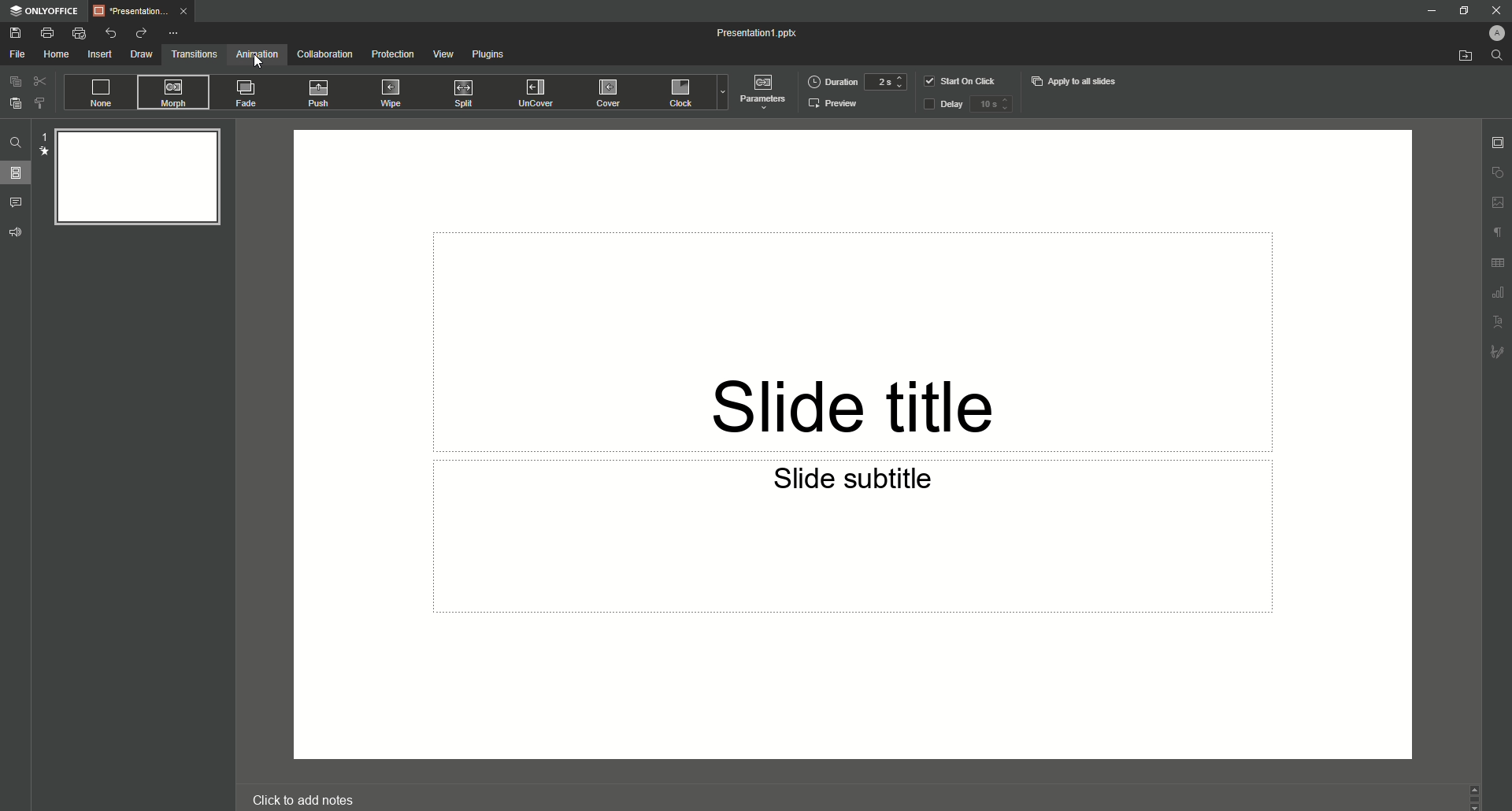 The width and height of the screenshot is (1512, 811). I want to click on Push, so click(316, 95).